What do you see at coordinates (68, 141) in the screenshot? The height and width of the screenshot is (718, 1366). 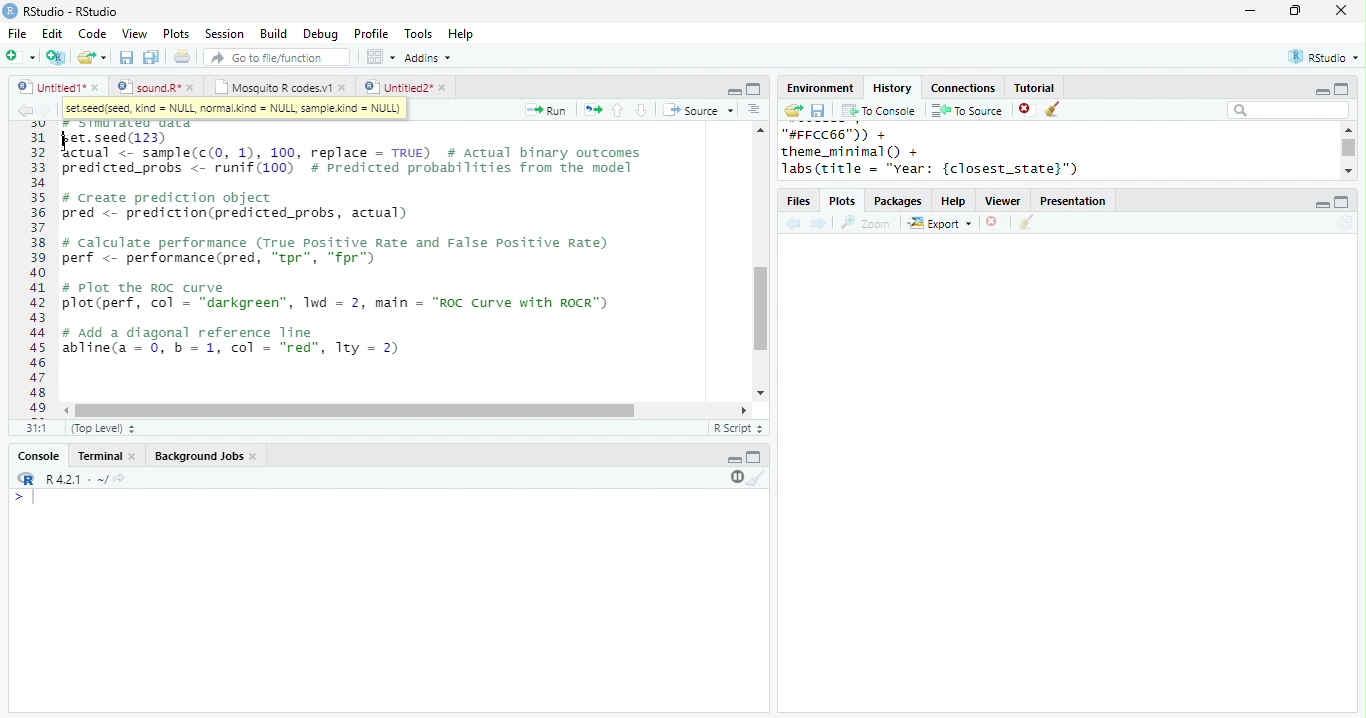 I see `cursor` at bounding box center [68, 141].